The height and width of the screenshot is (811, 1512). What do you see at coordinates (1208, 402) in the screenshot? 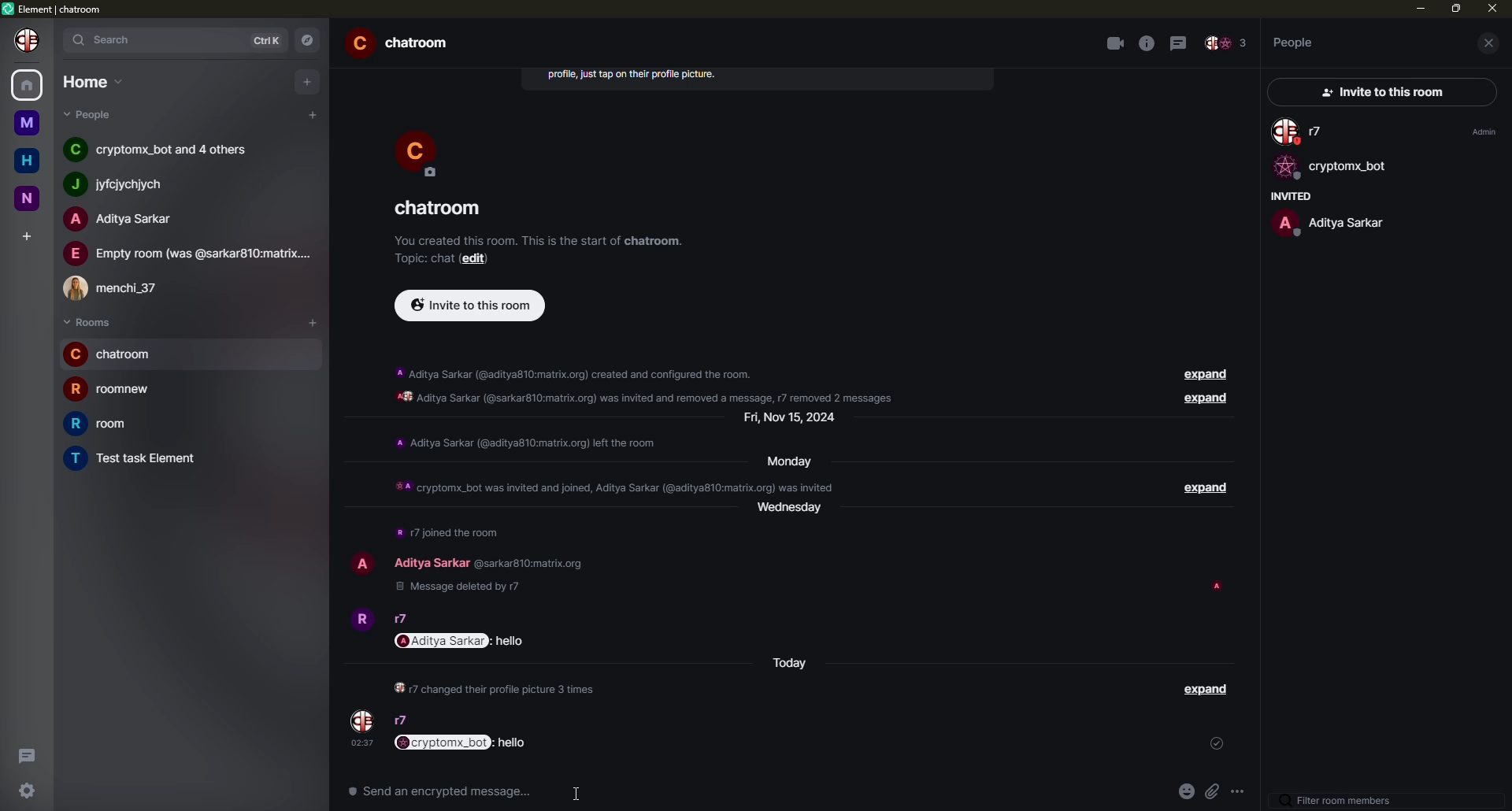
I see `expand` at bounding box center [1208, 402].